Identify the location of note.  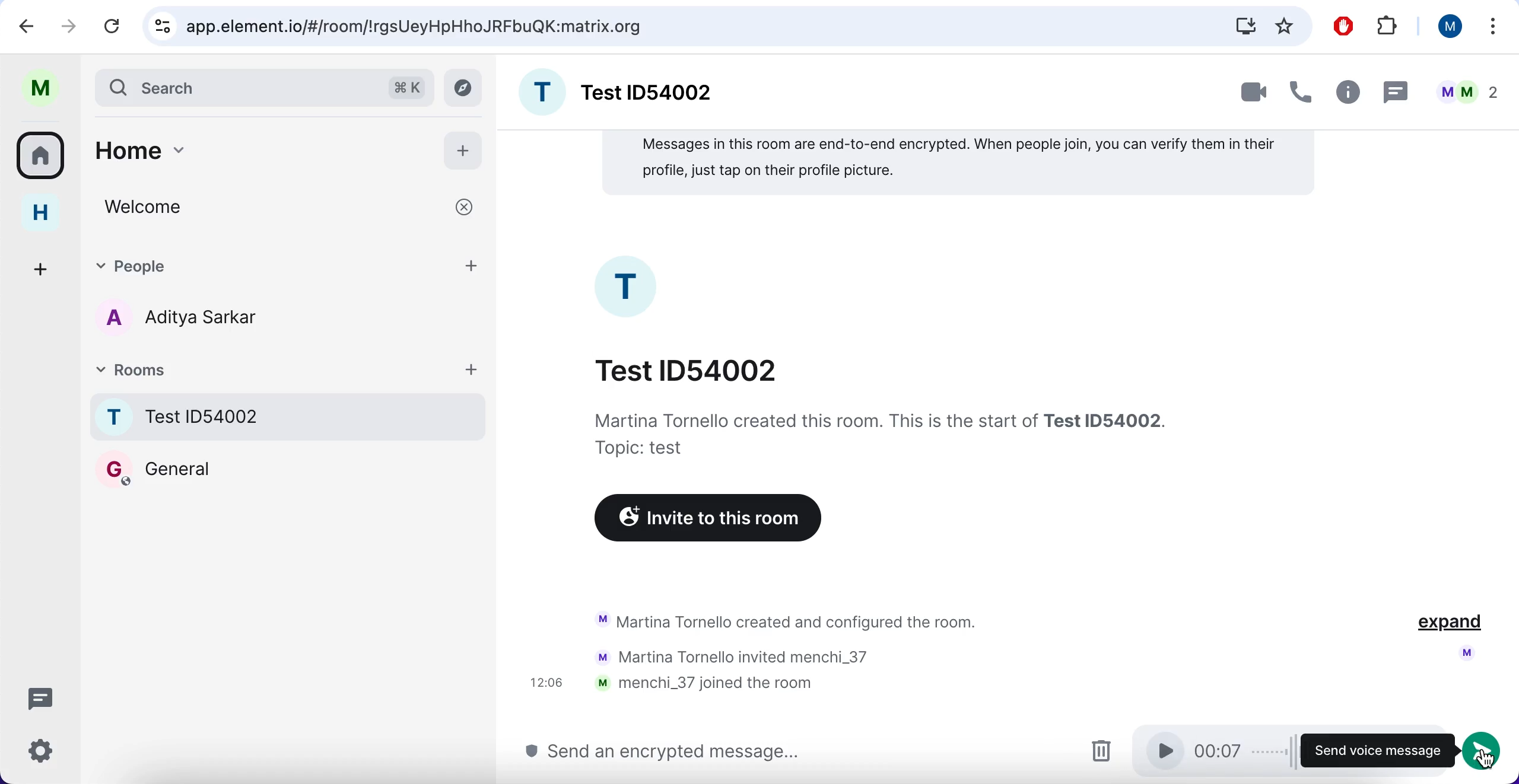
(958, 164).